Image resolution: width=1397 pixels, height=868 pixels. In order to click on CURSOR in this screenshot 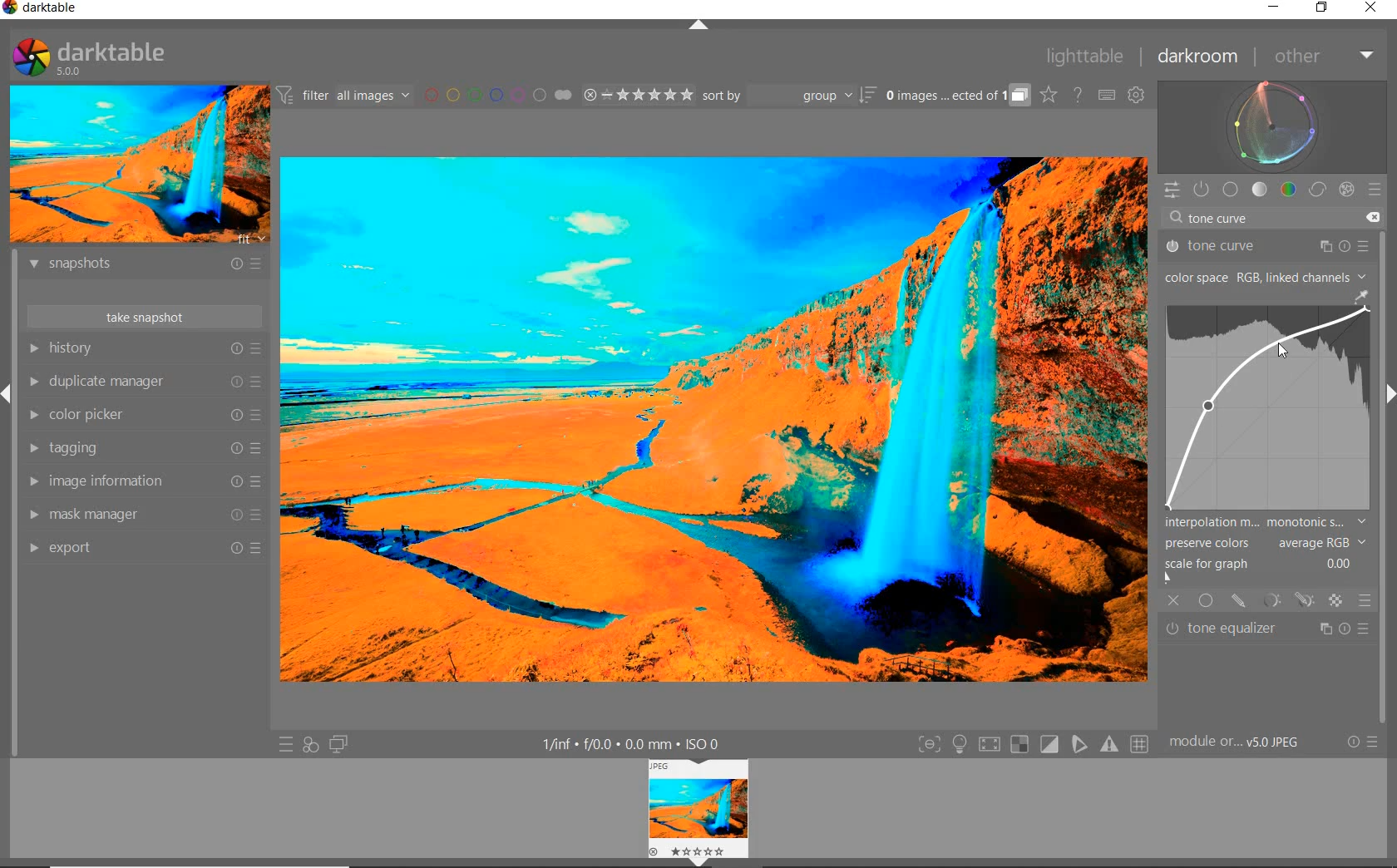, I will do `click(1209, 408)`.